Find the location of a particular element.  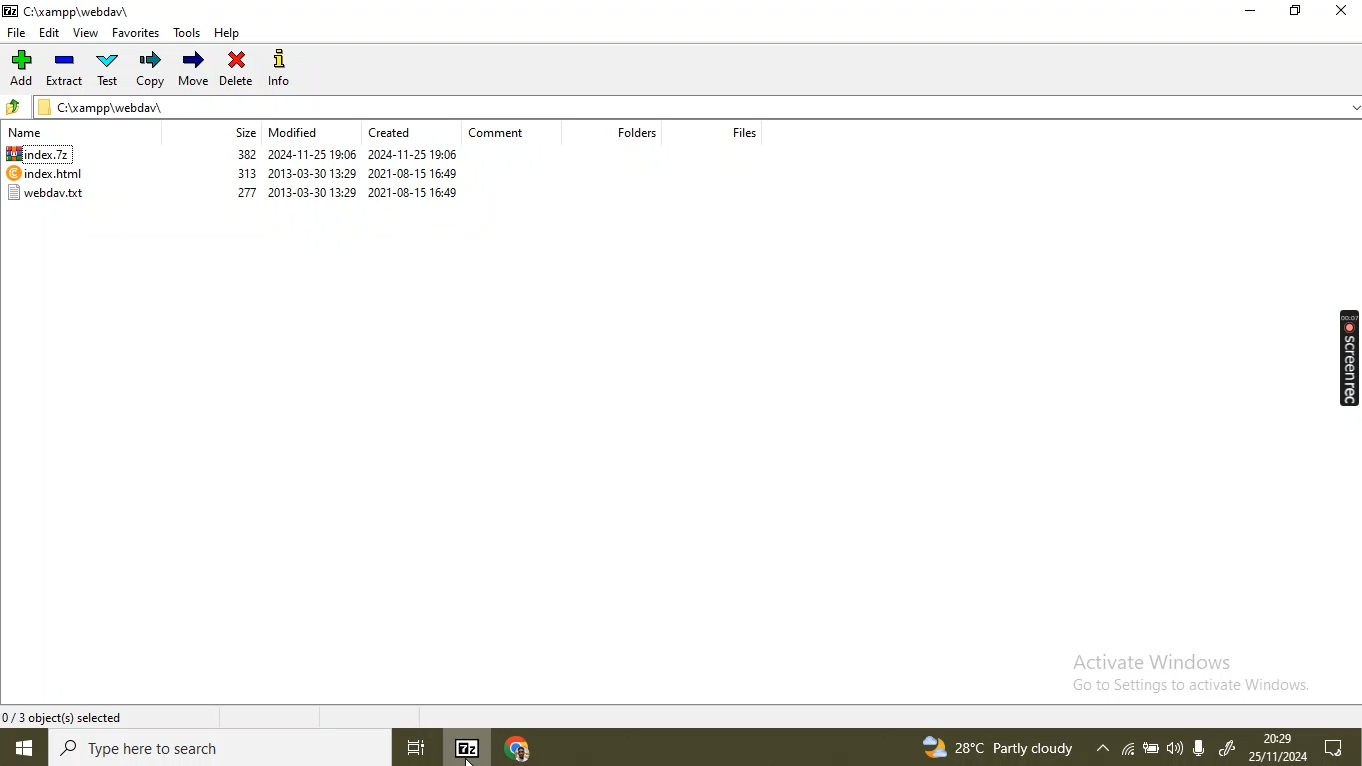

folders is located at coordinates (618, 136).